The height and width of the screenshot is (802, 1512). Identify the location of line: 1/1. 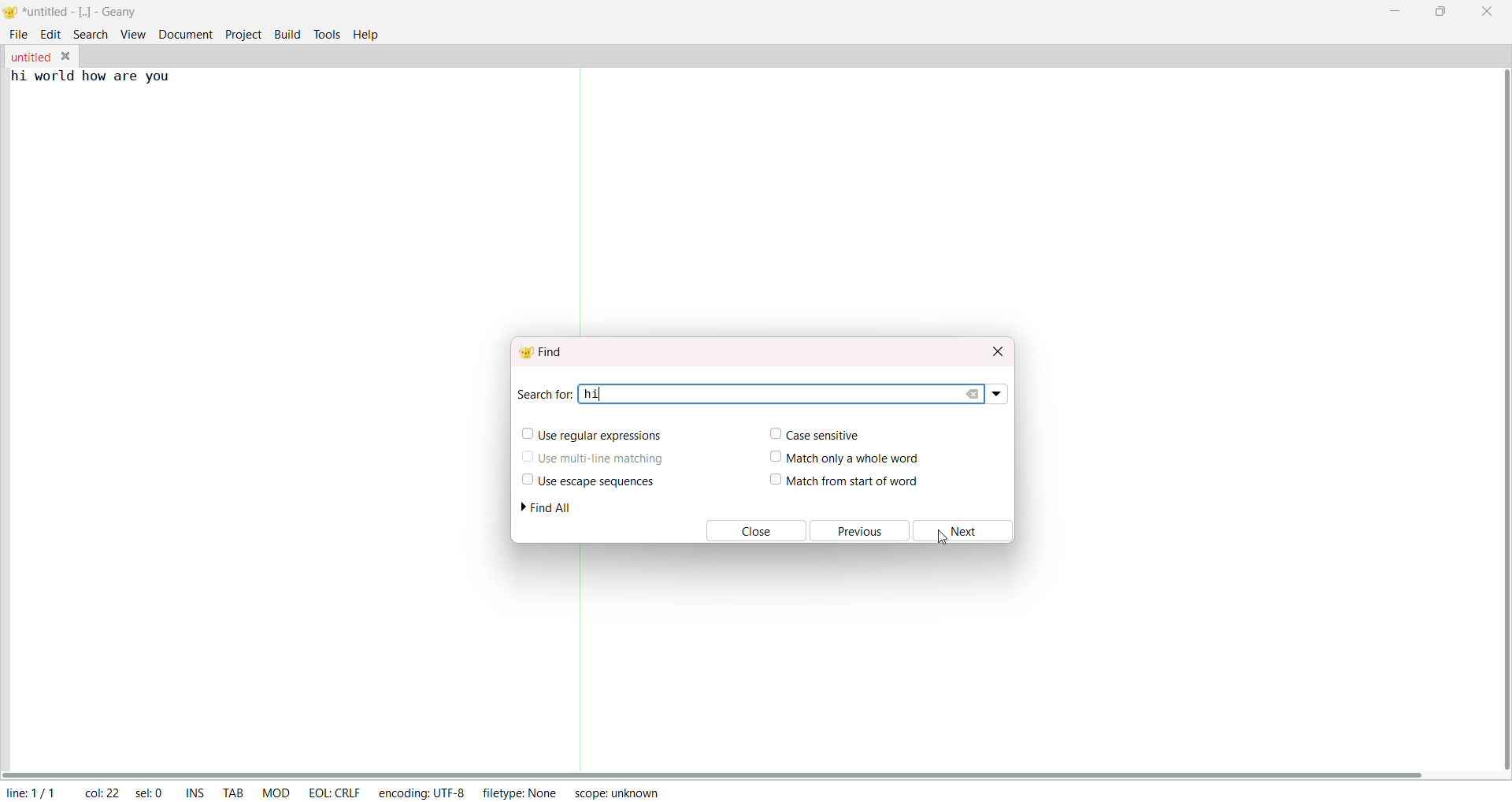
(31, 793).